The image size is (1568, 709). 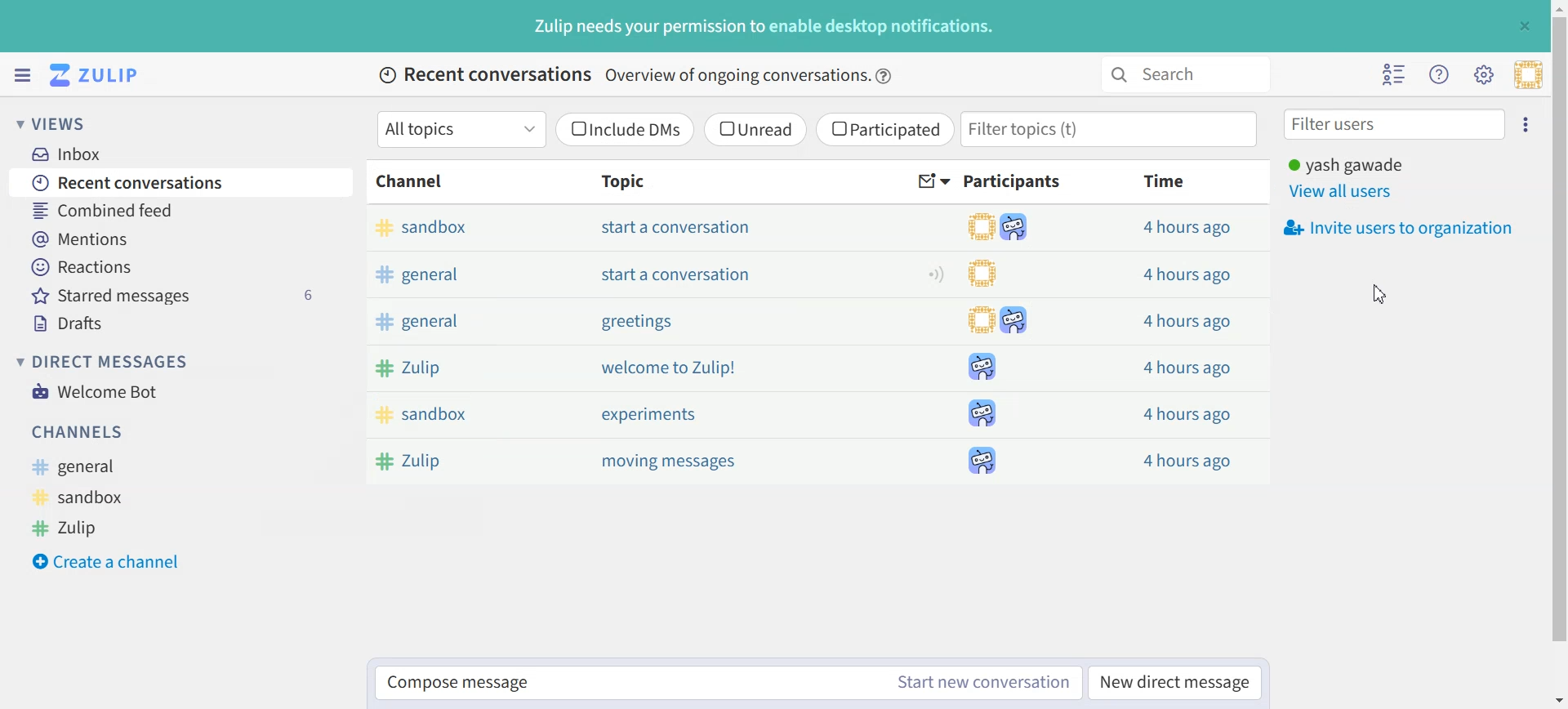 What do you see at coordinates (1395, 123) in the screenshot?
I see `Filter users` at bounding box center [1395, 123].